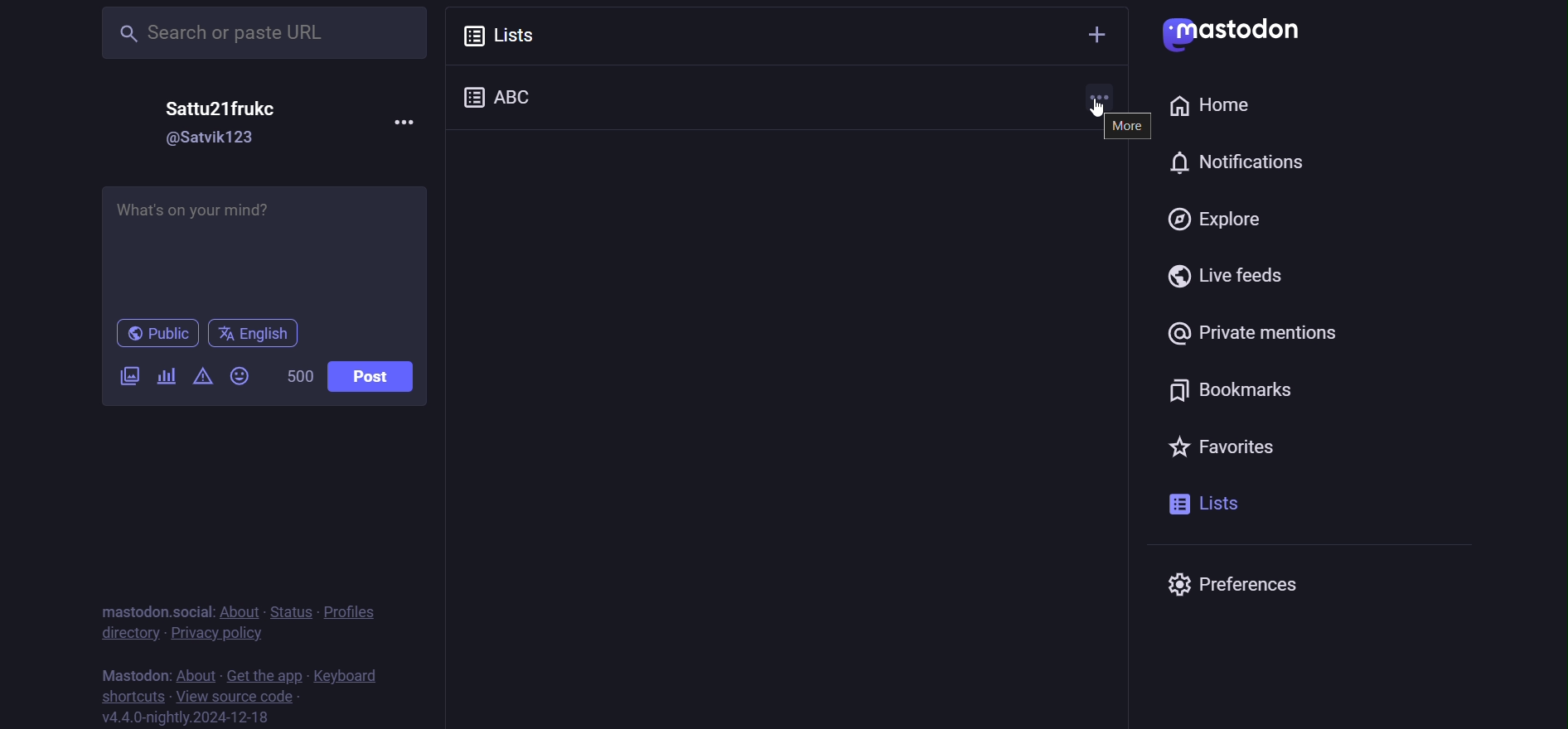 The image size is (1568, 729). Describe the element at coordinates (1130, 129) in the screenshot. I see `more` at that location.